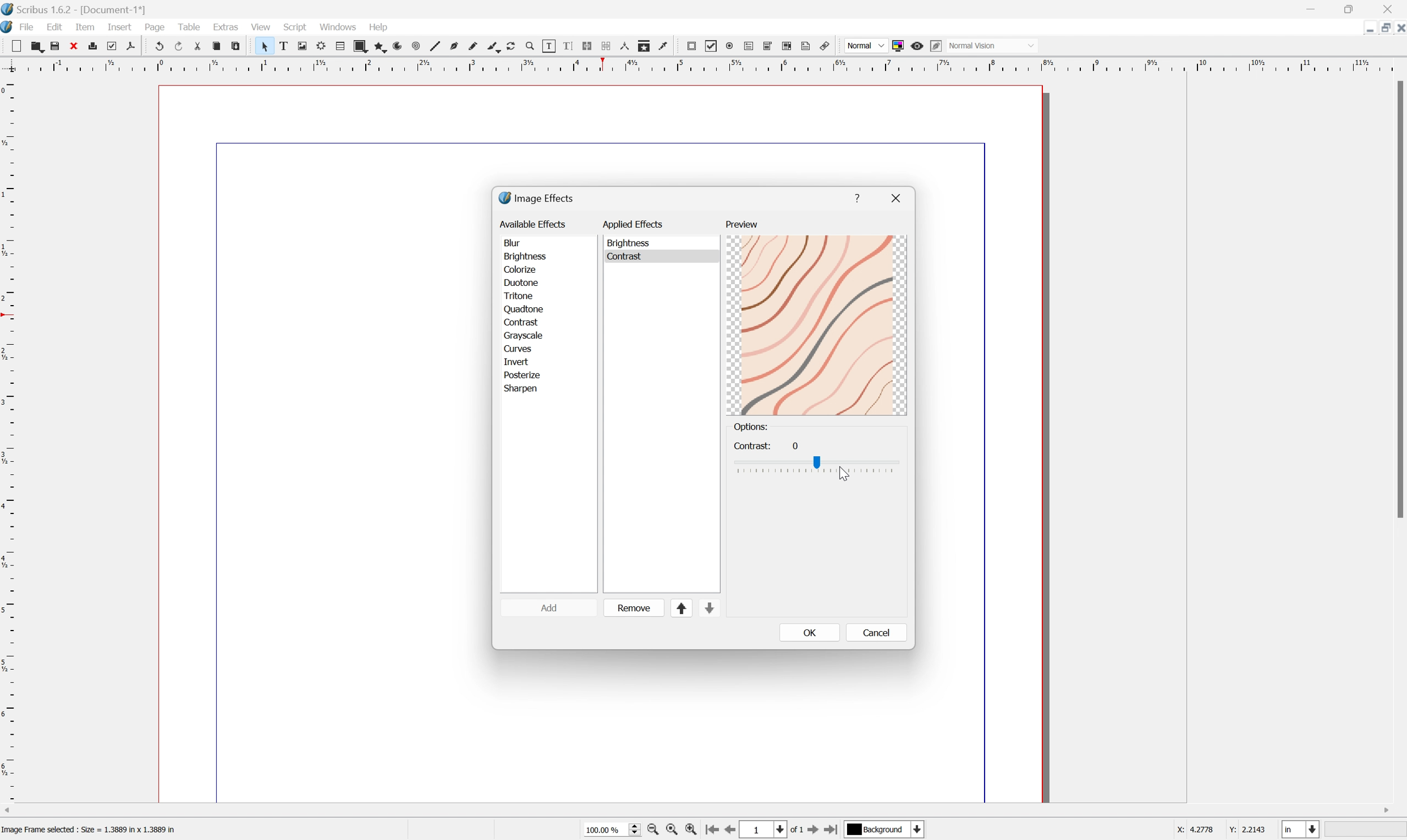 The image size is (1407, 840). I want to click on preview, so click(818, 324).